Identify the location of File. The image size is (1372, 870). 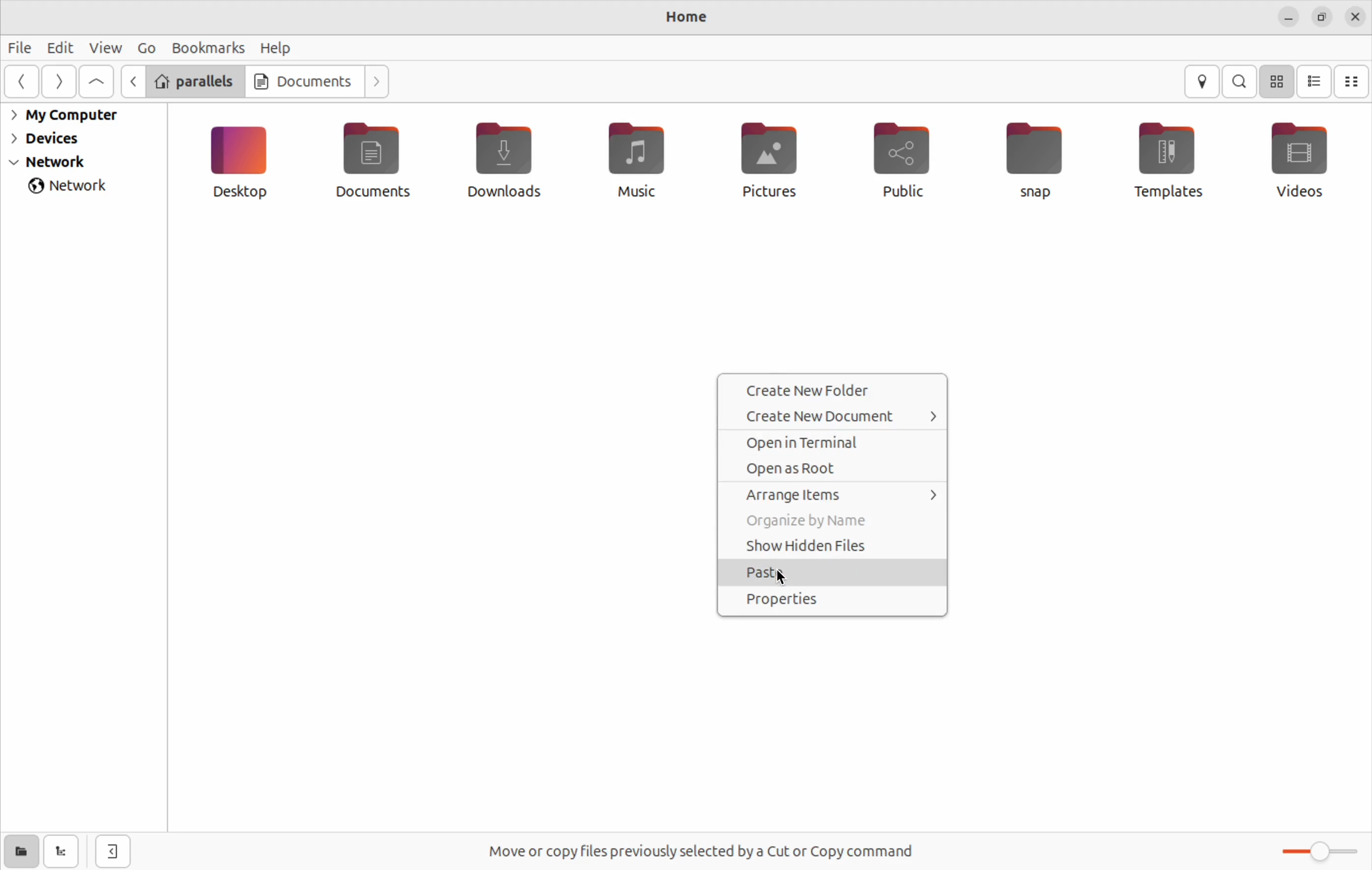
(22, 50).